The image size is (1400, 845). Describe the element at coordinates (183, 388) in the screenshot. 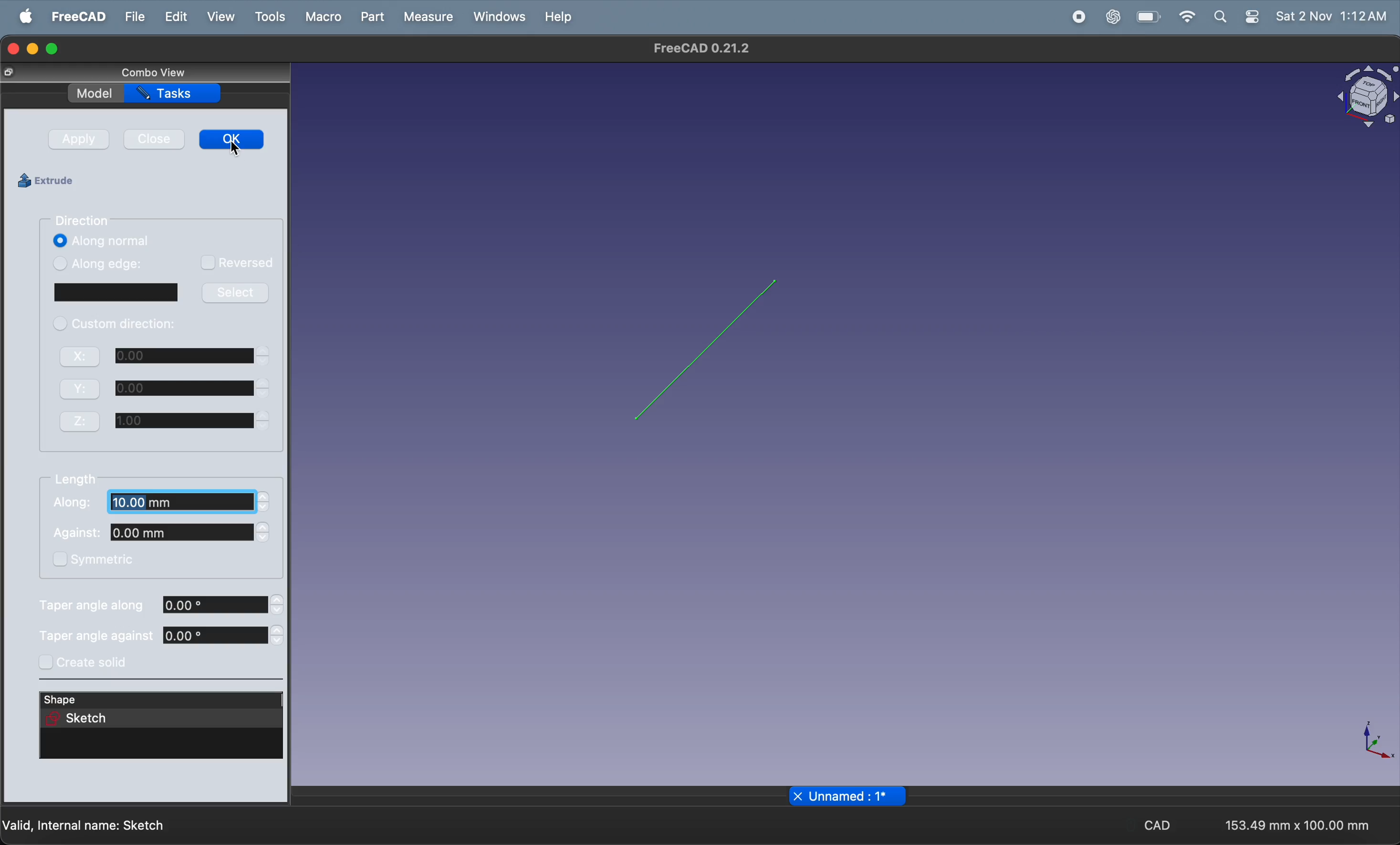

I see `0.00` at that location.